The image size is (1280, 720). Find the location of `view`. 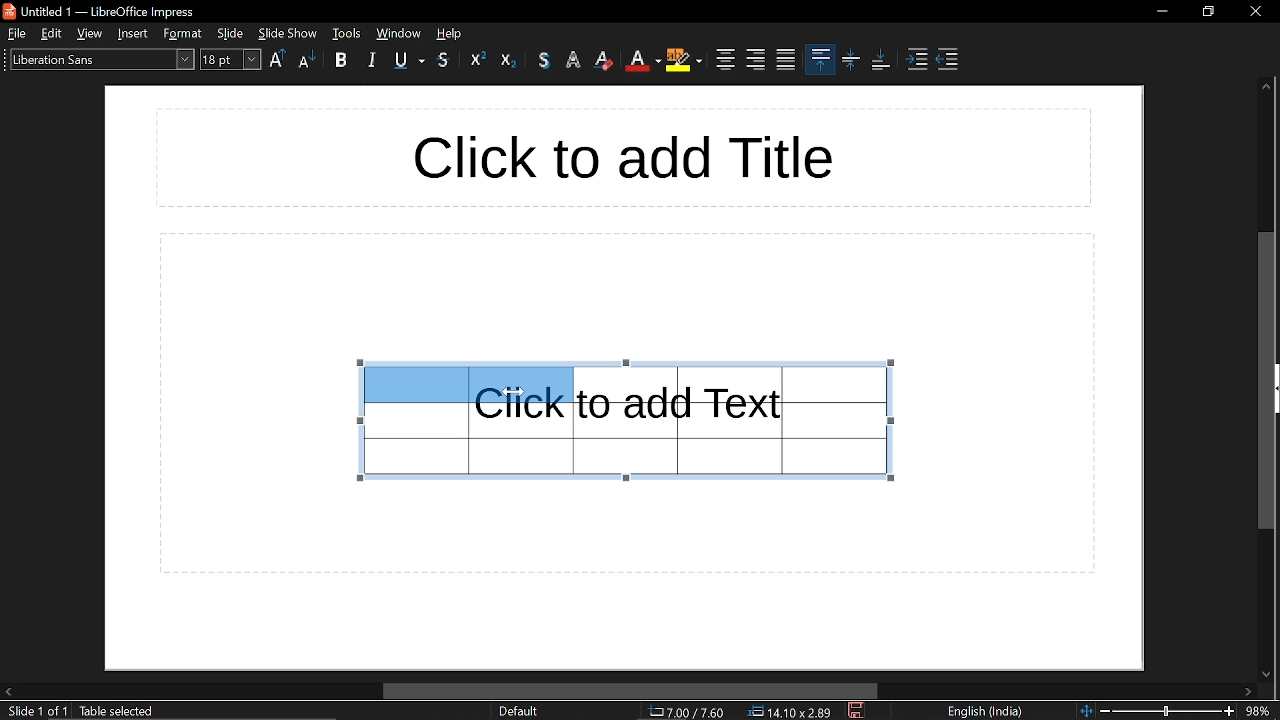

view is located at coordinates (91, 33).